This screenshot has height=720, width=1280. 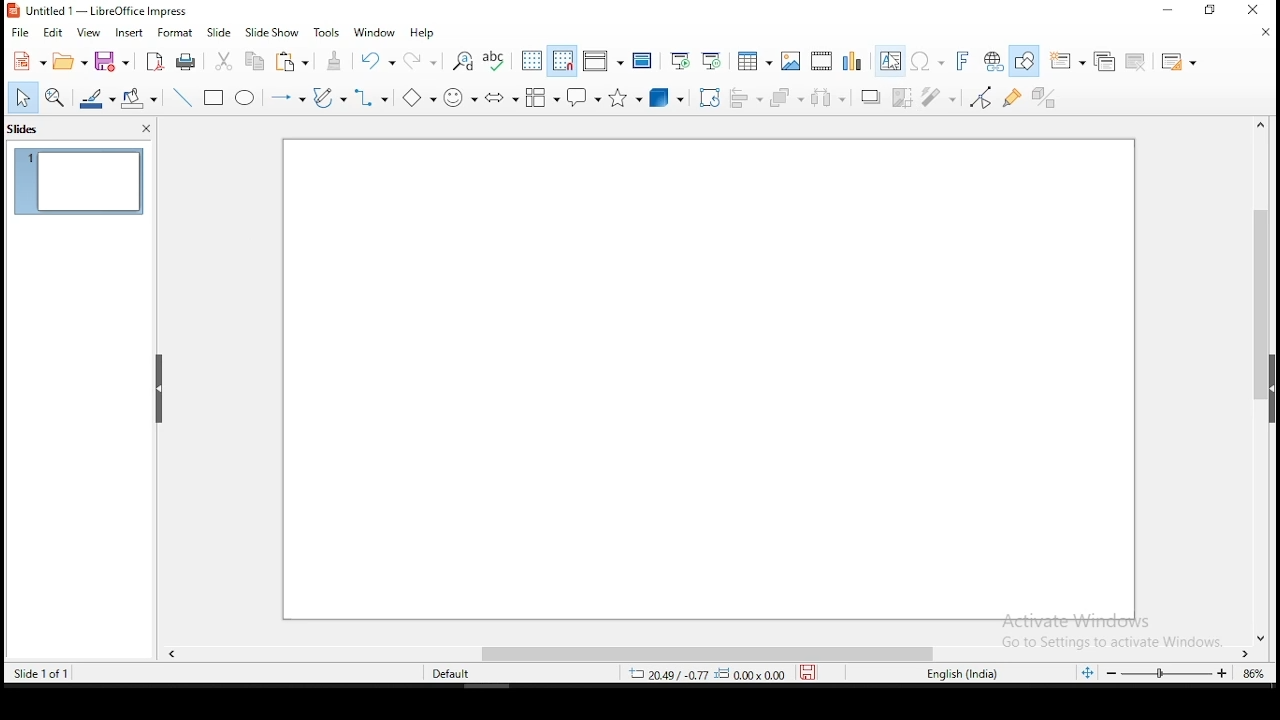 I want to click on snap to grid, so click(x=562, y=61).